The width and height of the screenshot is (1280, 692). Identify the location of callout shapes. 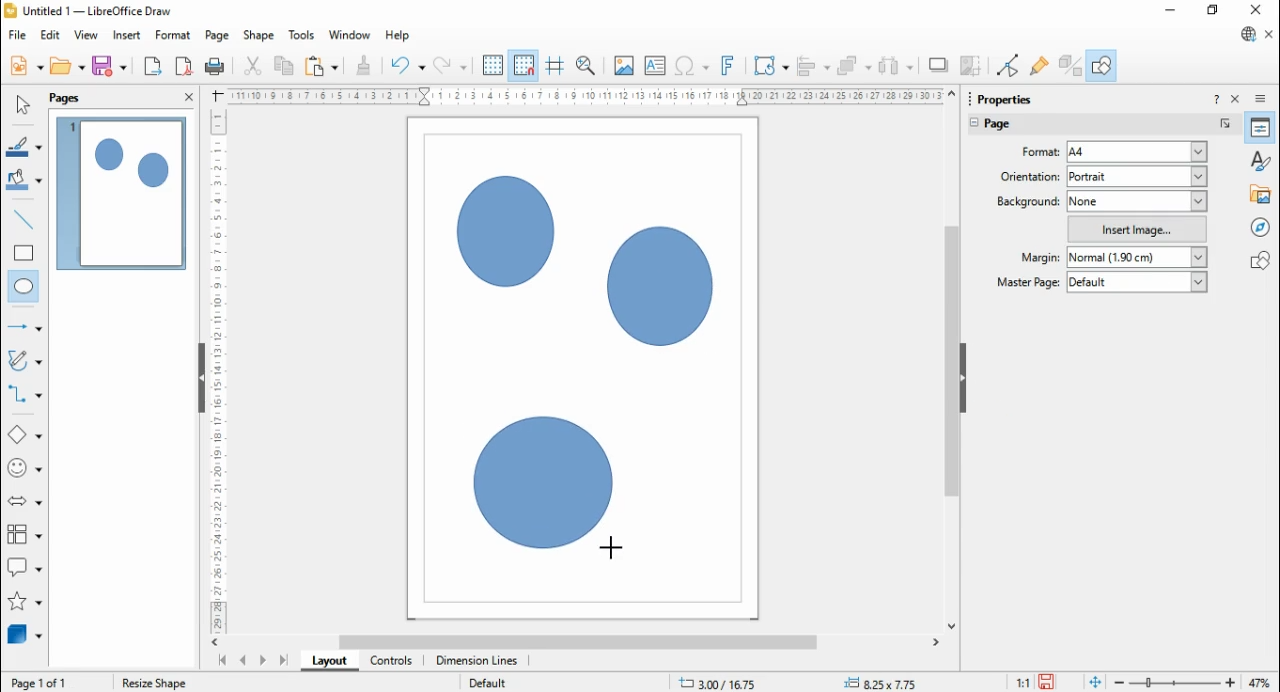
(26, 570).